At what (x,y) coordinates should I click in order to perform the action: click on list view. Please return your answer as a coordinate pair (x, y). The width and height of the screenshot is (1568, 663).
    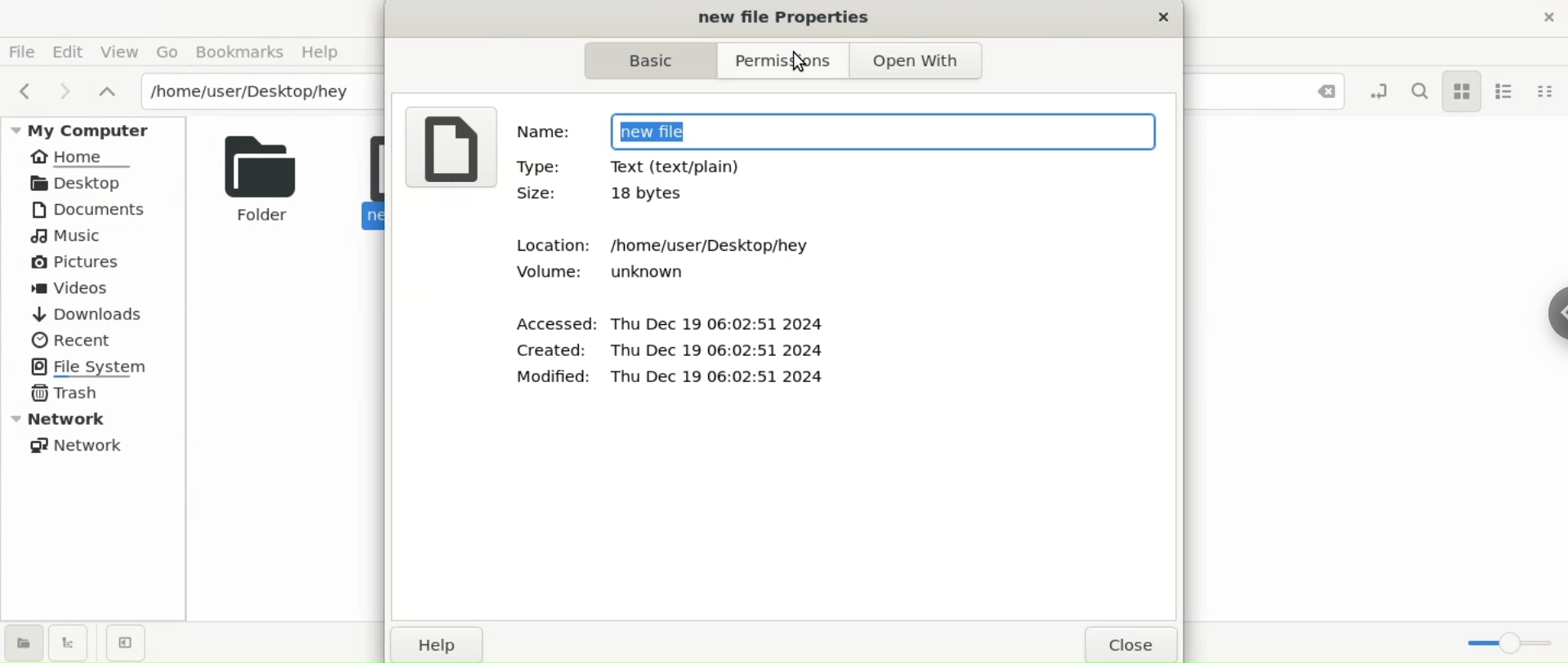
    Looking at the image, I should click on (1508, 89).